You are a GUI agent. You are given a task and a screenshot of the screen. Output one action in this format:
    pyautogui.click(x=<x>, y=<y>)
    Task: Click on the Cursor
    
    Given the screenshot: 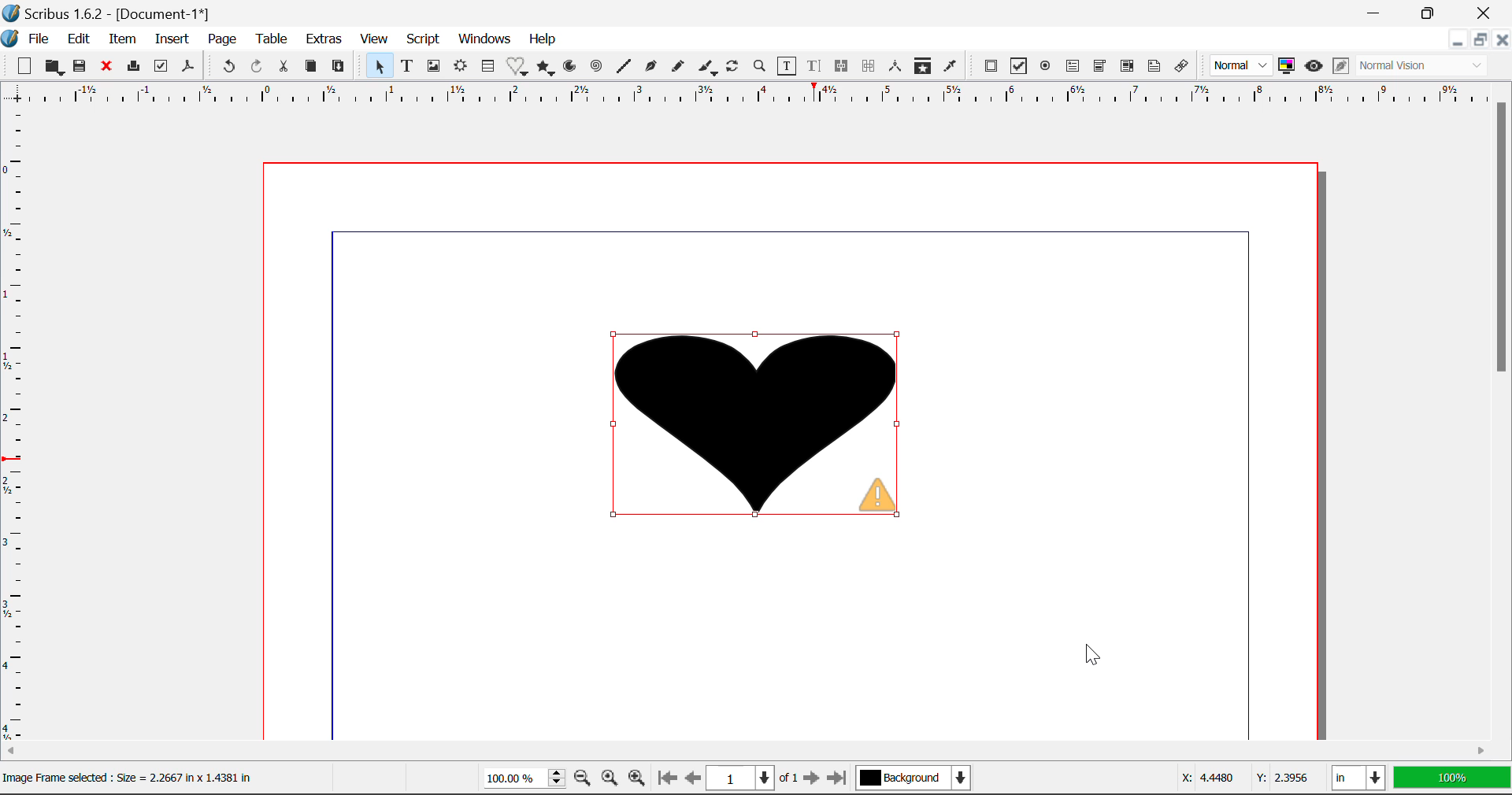 What is the action you would take?
    pyautogui.click(x=1095, y=656)
    